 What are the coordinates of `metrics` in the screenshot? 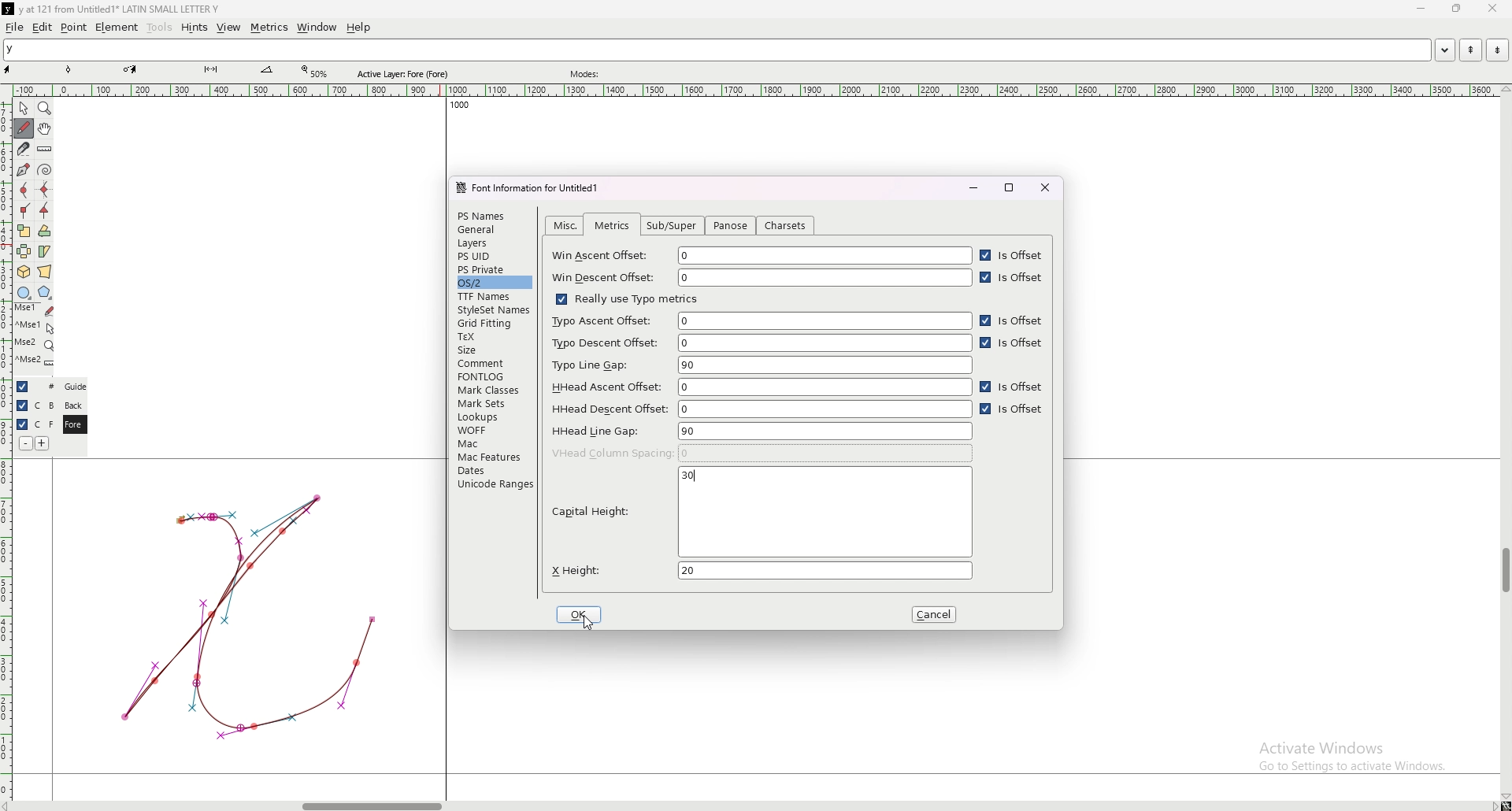 It's located at (269, 28).